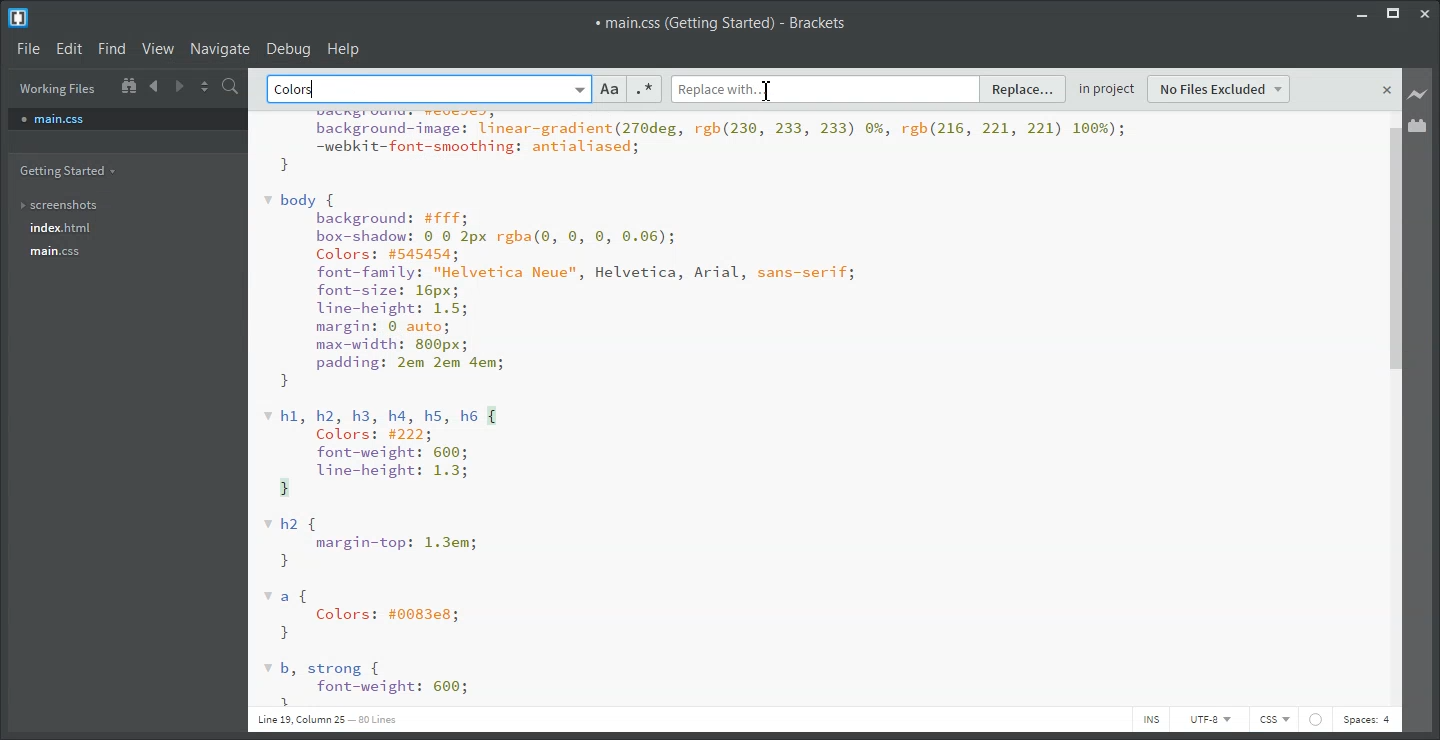  What do you see at coordinates (1361, 13) in the screenshot?
I see `Minimize` at bounding box center [1361, 13].